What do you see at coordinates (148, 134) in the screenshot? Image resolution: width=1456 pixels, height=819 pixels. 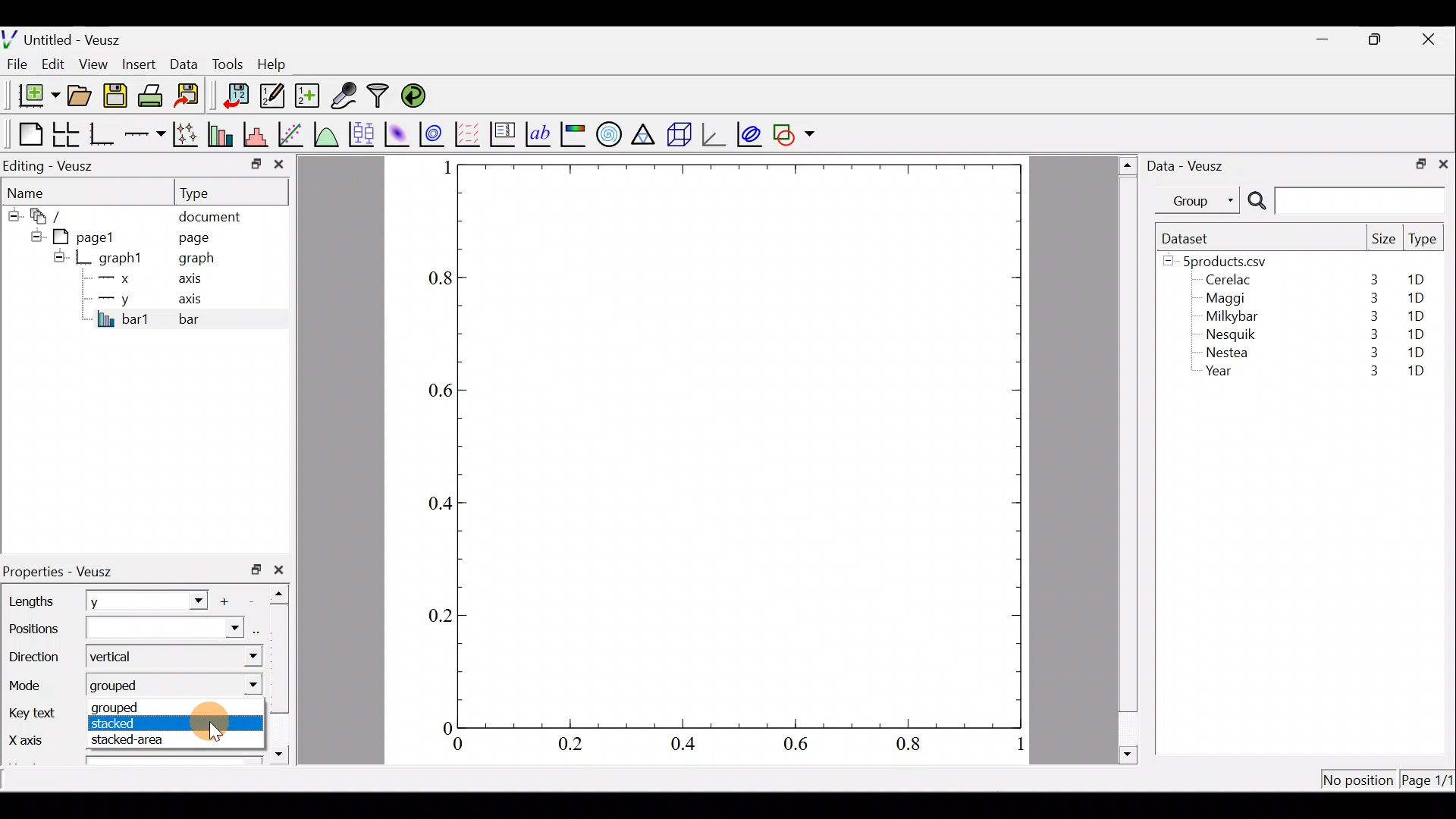 I see `Add an axis to the plot` at bounding box center [148, 134].